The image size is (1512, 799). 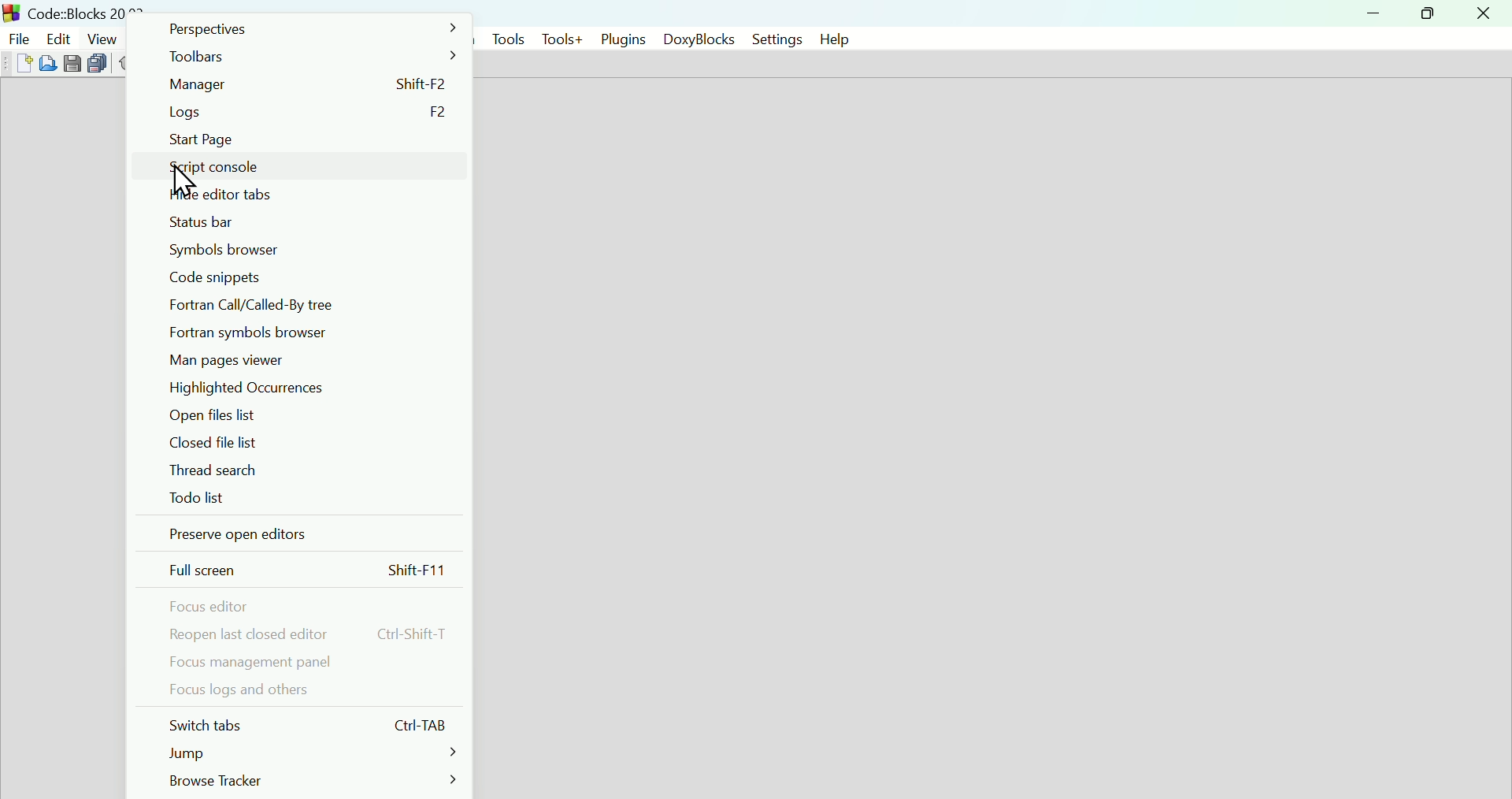 I want to click on Highlighted occurrences, so click(x=303, y=388).